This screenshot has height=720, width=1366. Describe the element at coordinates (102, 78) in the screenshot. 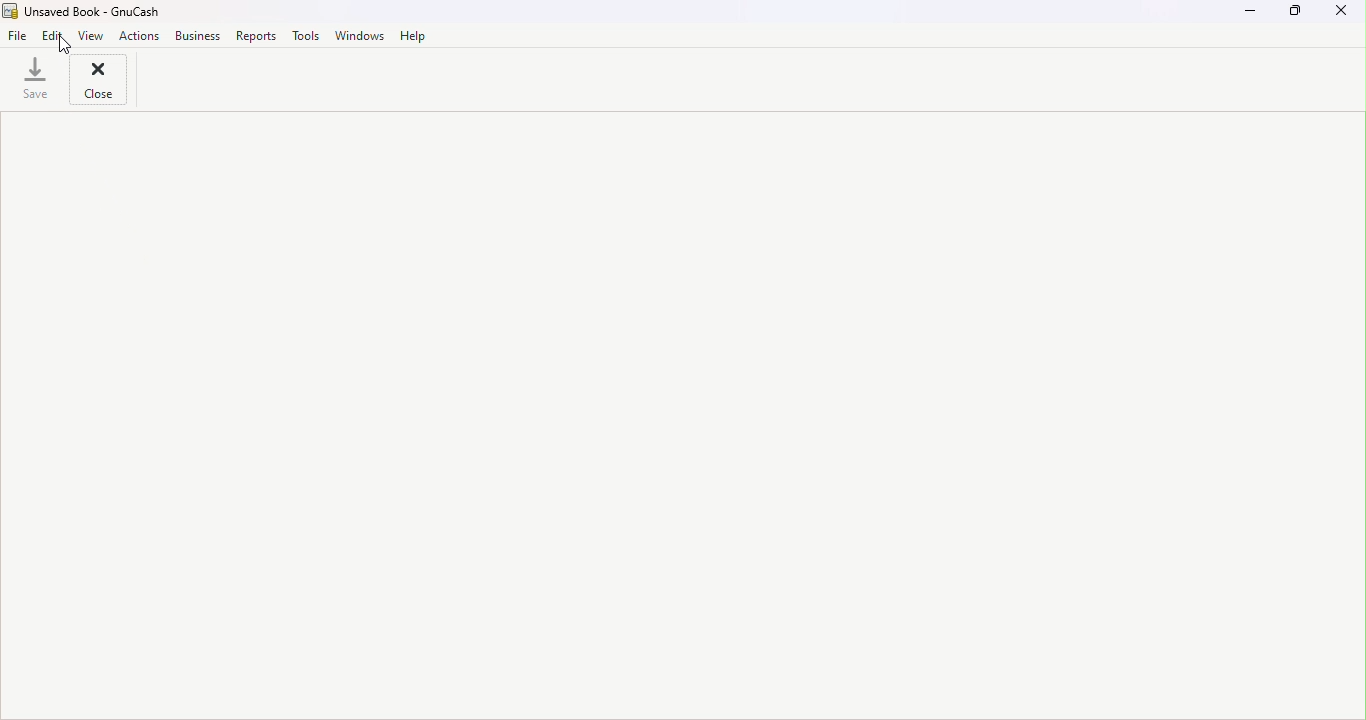

I see `close` at that location.